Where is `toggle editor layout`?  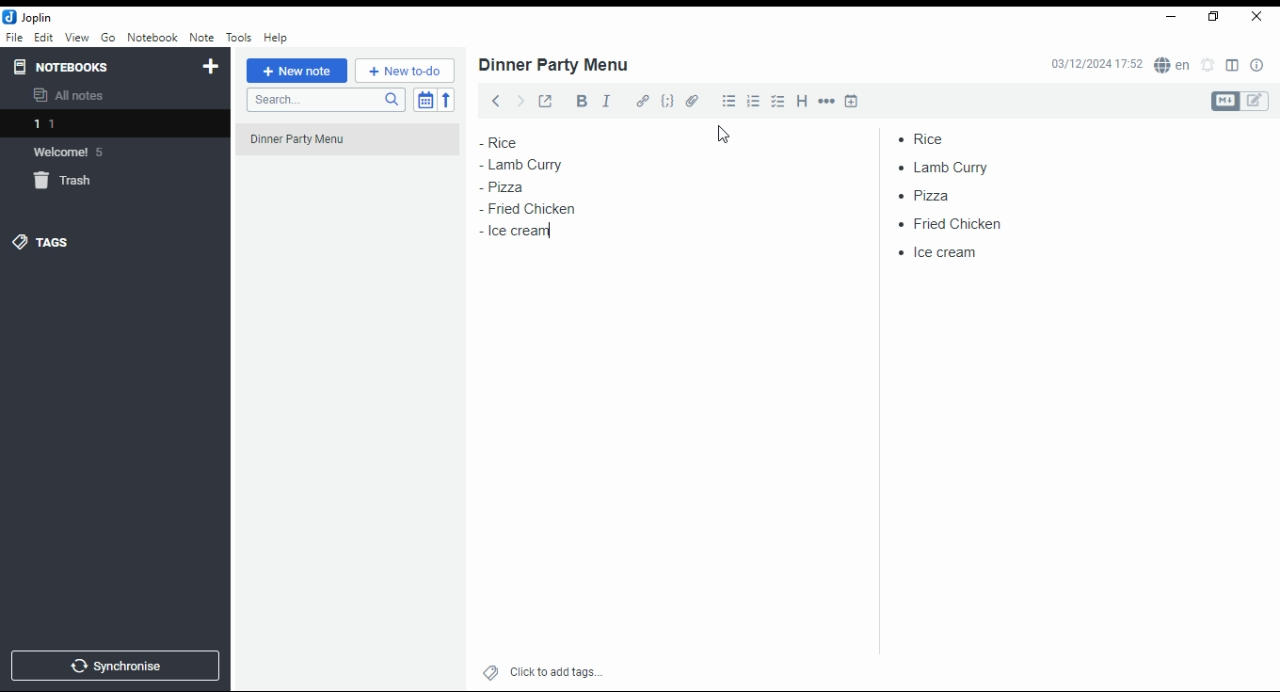
toggle editor layout is located at coordinates (1232, 66).